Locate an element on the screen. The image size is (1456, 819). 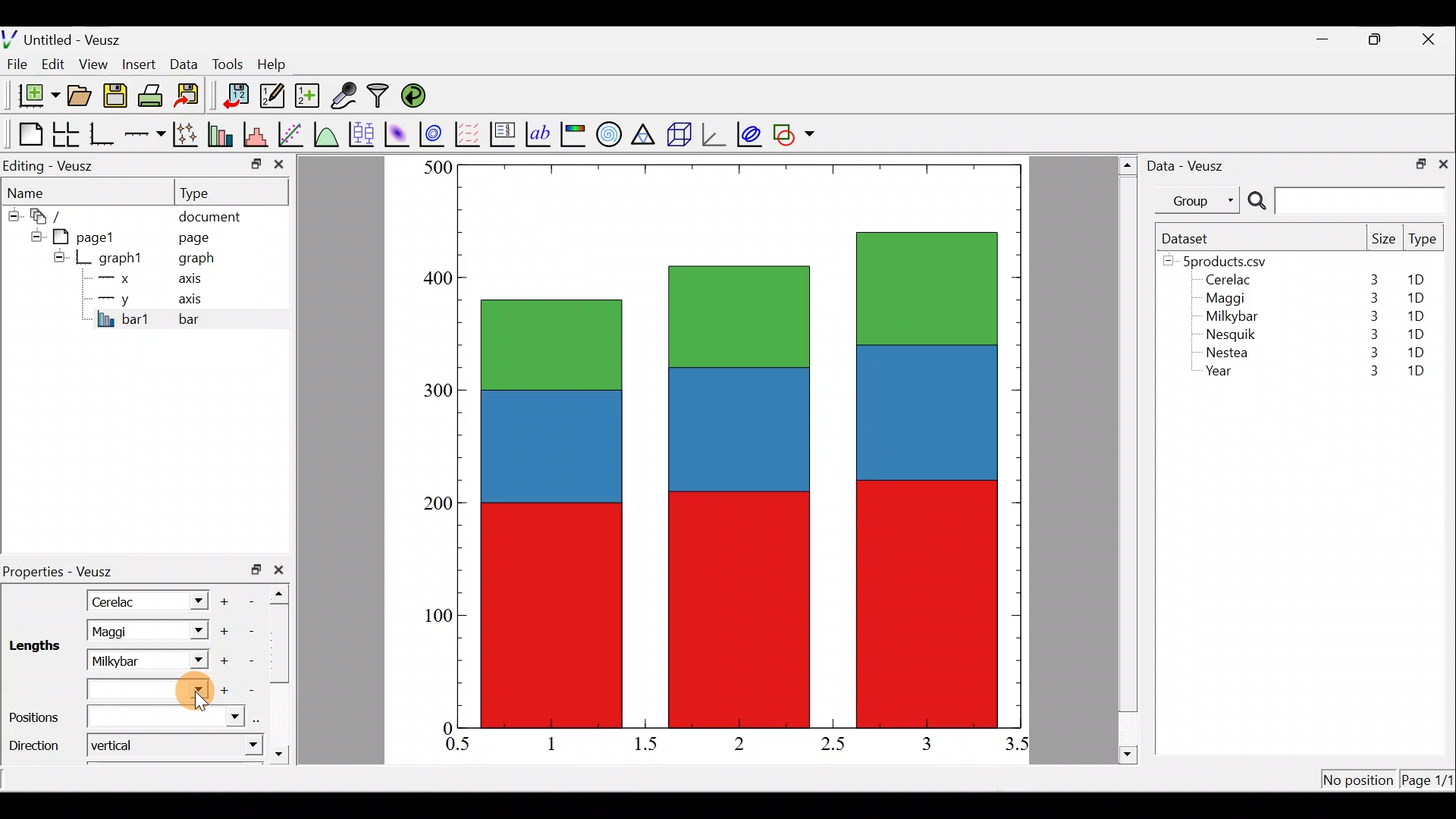
3 is located at coordinates (1371, 334).